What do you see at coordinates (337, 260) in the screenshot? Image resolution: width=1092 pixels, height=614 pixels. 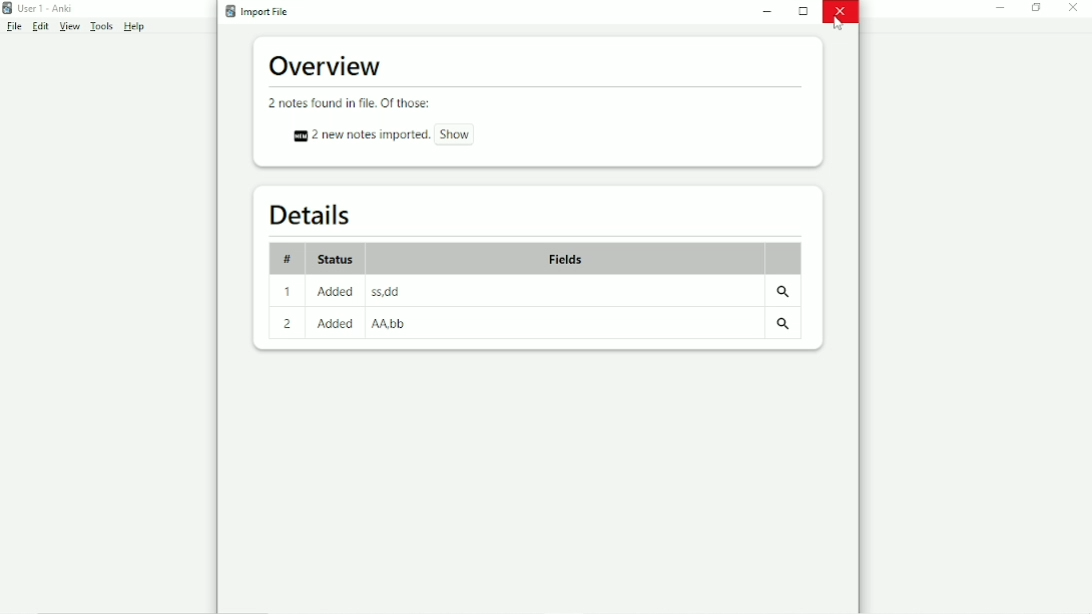 I see `Status` at bounding box center [337, 260].